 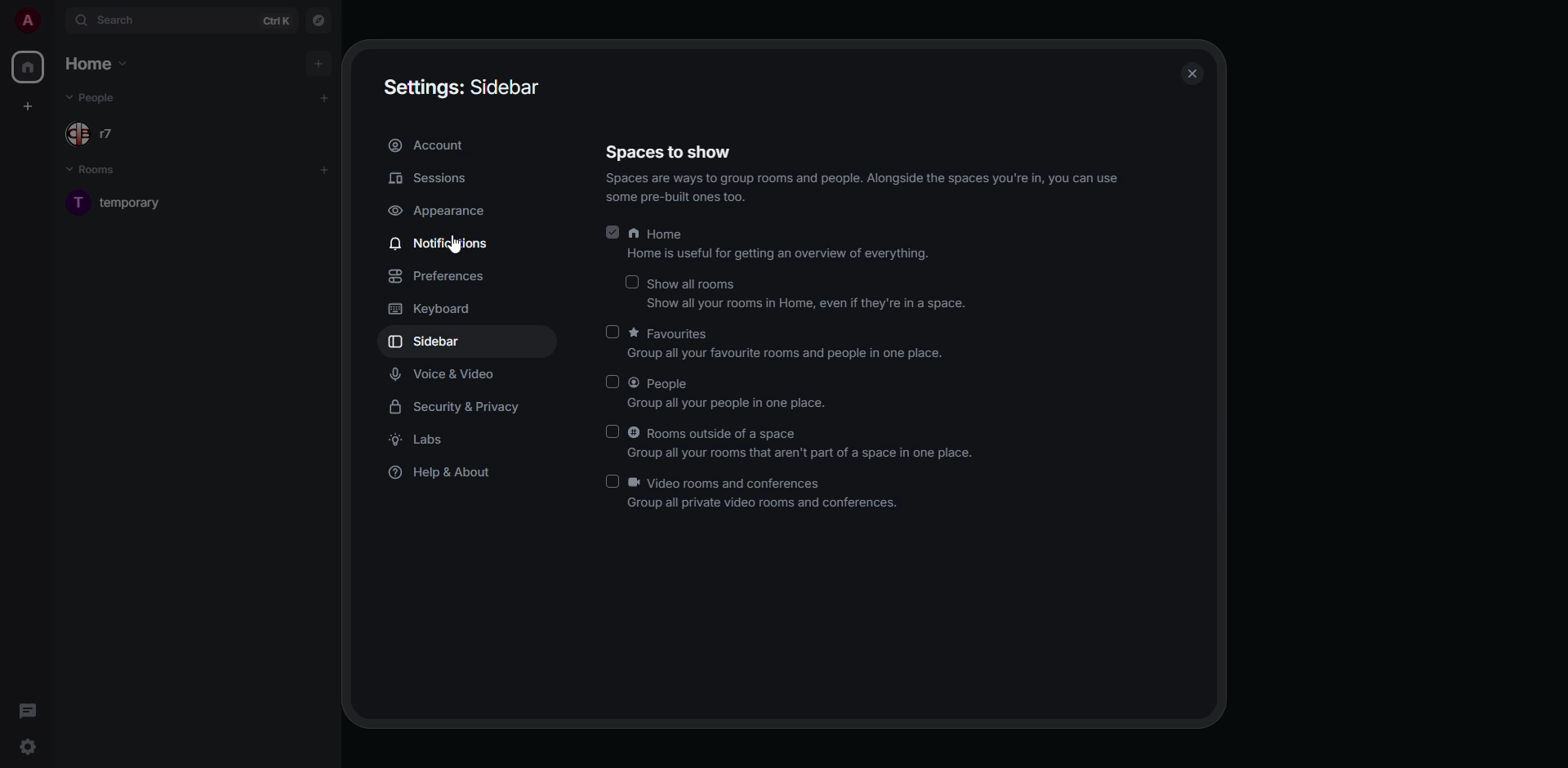 What do you see at coordinates (461, 408) in the screenshot?
I see `security & privacy` at bounding box center [461, 408].